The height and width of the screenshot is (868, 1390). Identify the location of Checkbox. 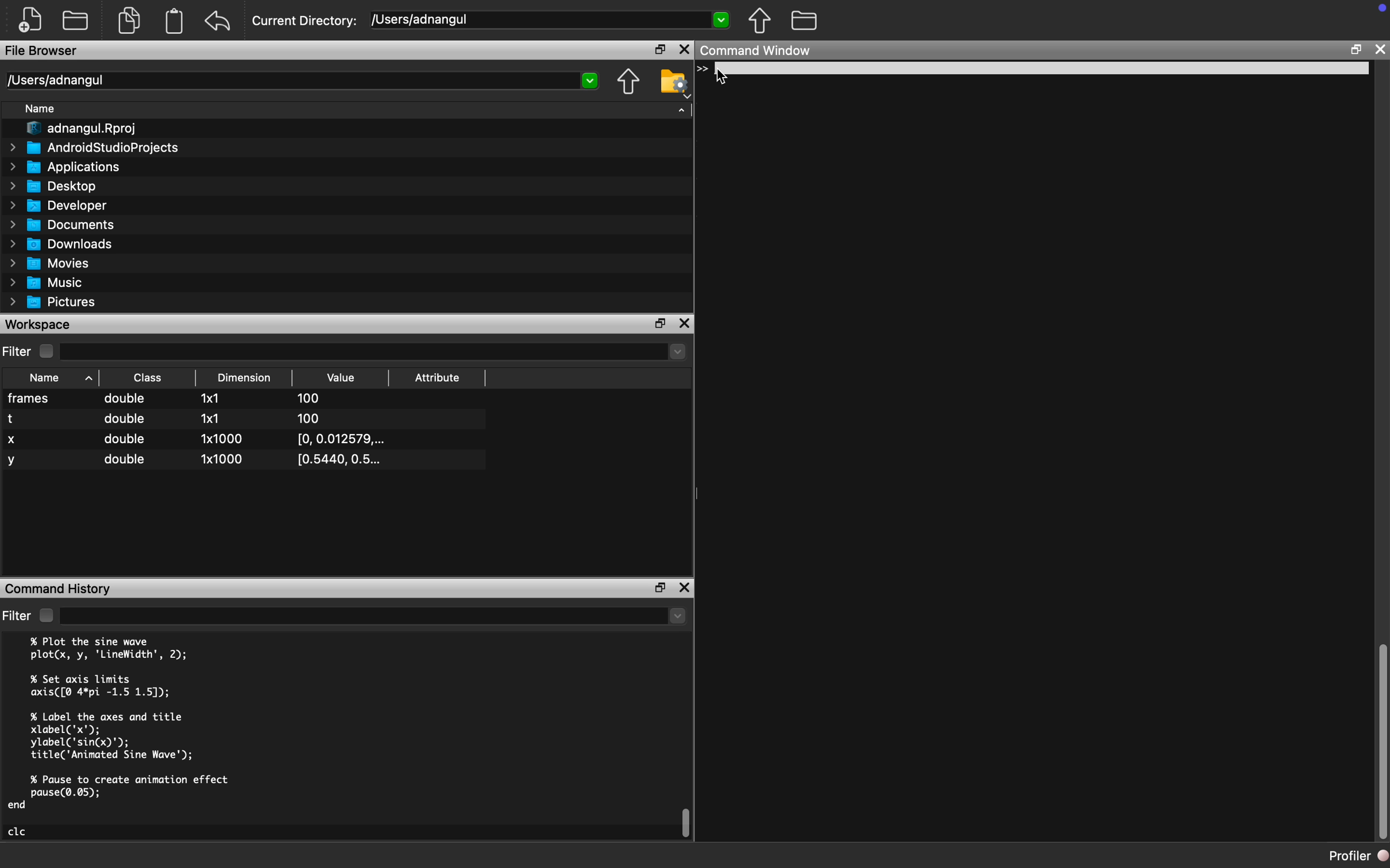
(47, 351).